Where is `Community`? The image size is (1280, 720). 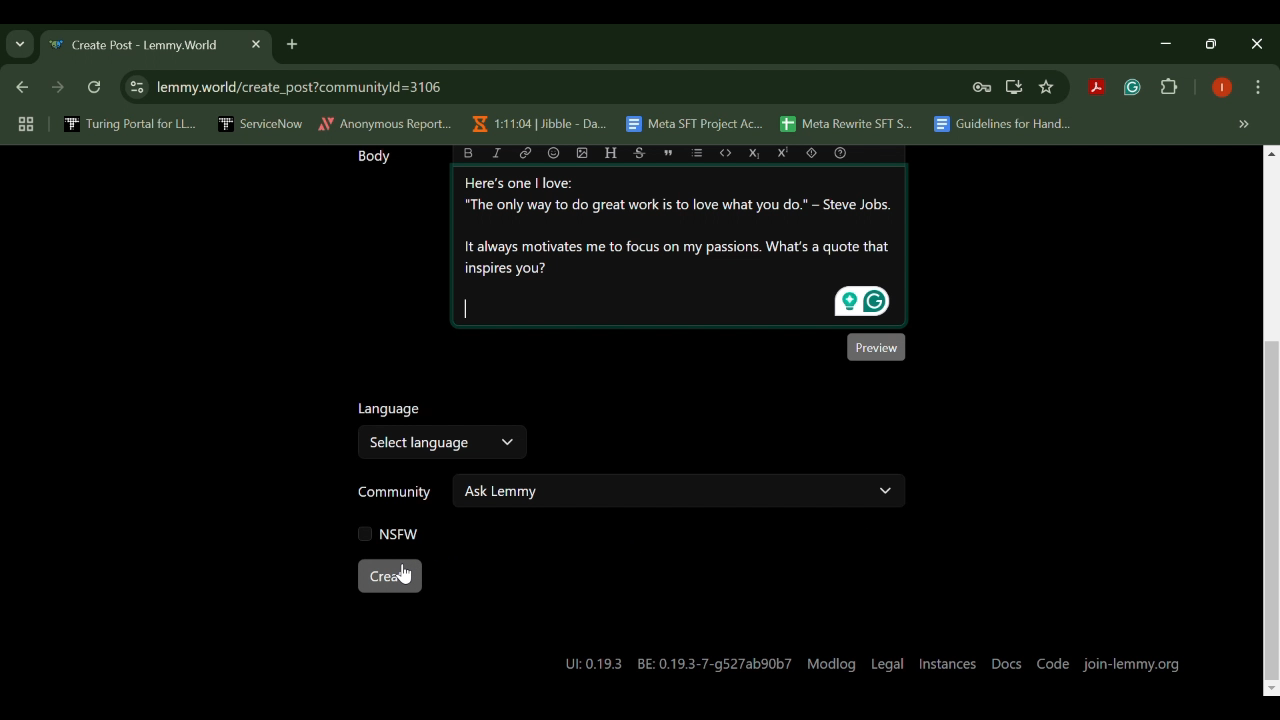 Community is located at coordinates (394, 494).